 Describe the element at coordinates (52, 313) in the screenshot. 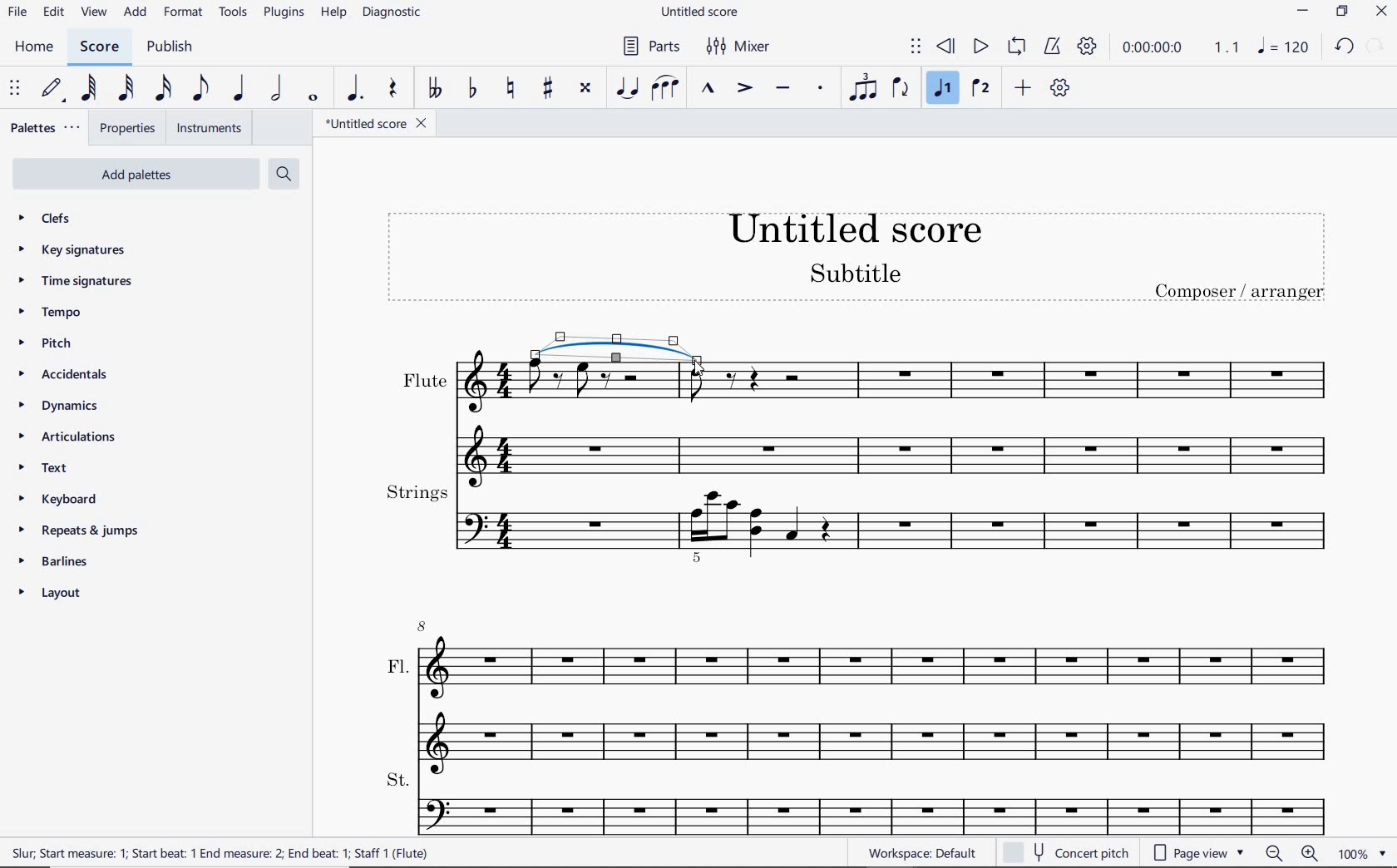

I see `tempo` at that location.